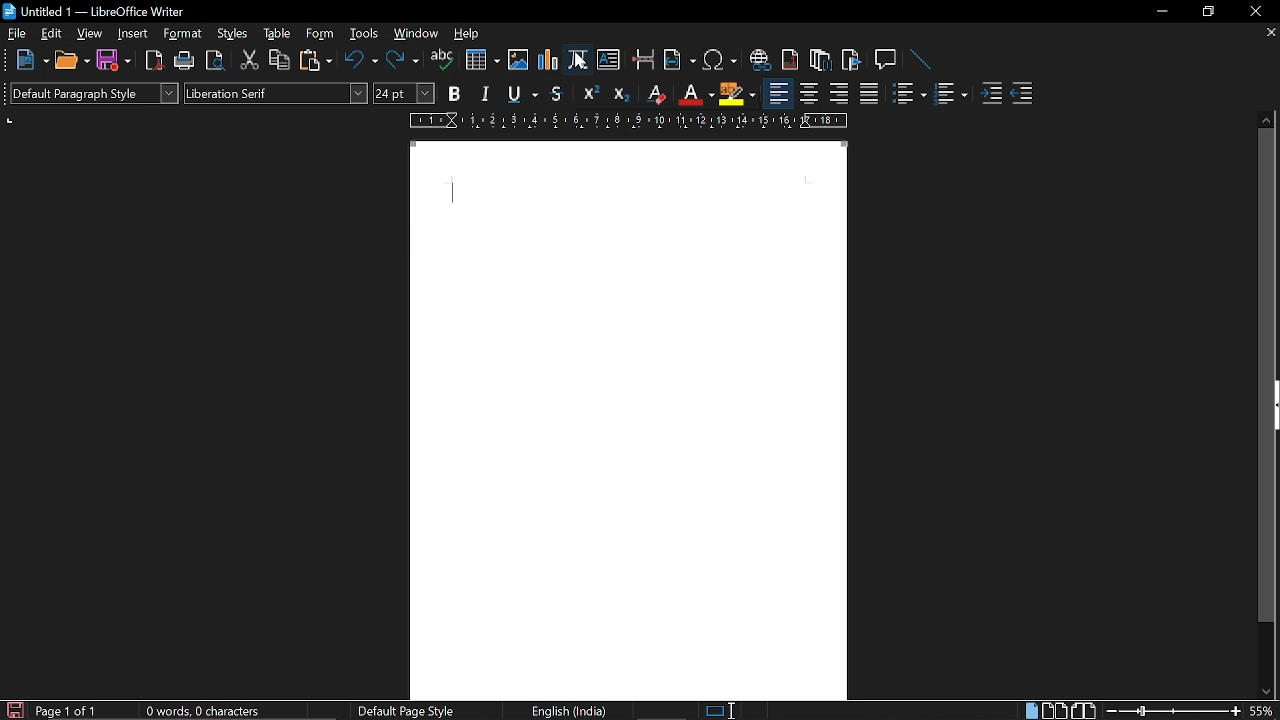  Describe the element at coordinates (133, 34) in the screenshot. I see `insert` at that location.